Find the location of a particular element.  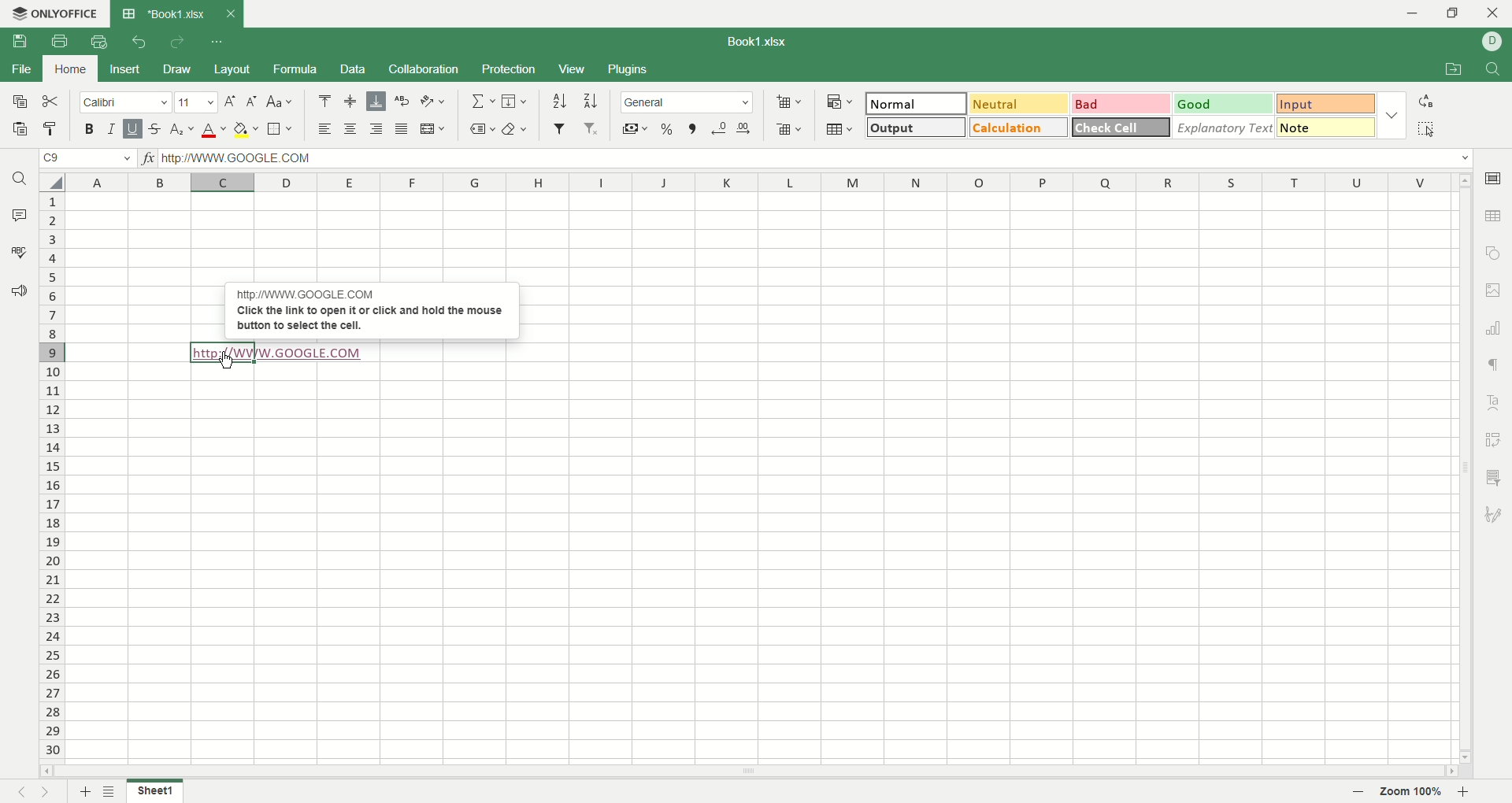

subscript is located at coordinates (181, 131).